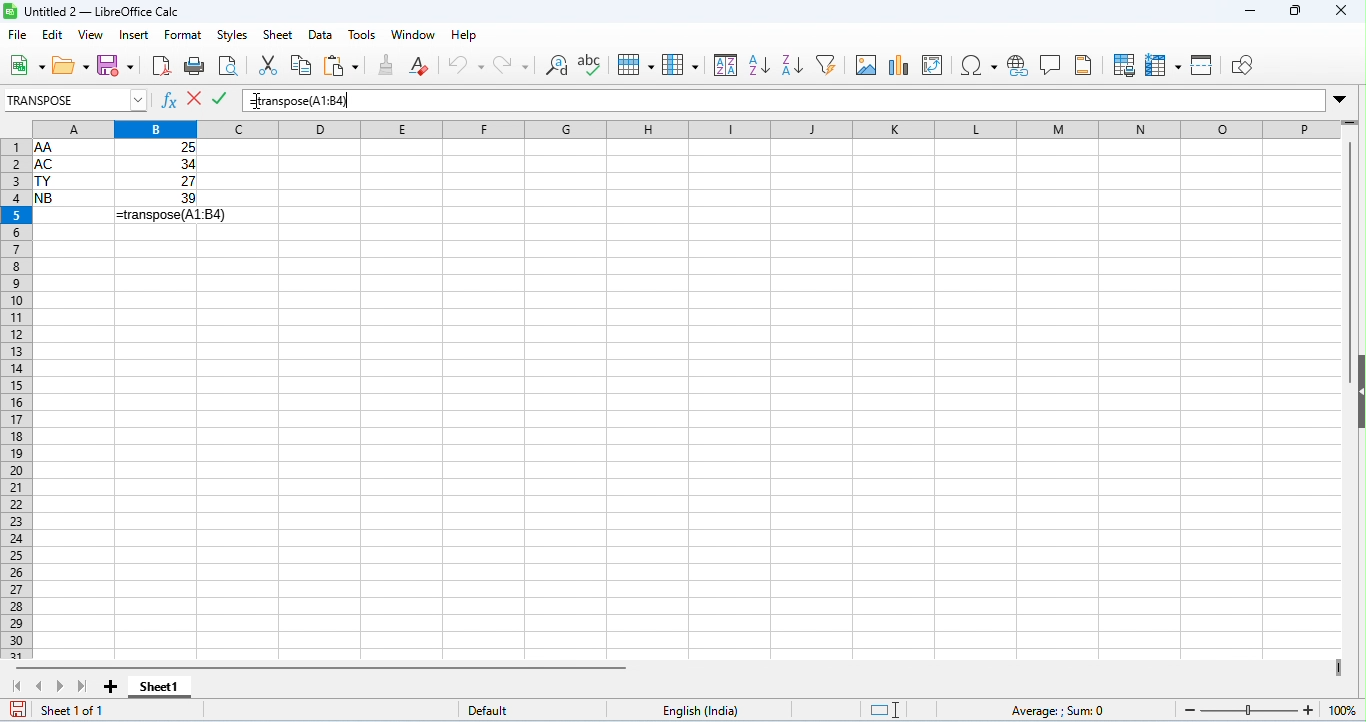 The image size is (1366, 722). Describe the element at coordinates (464, 36) in the screenshot. I see `help` at that location.